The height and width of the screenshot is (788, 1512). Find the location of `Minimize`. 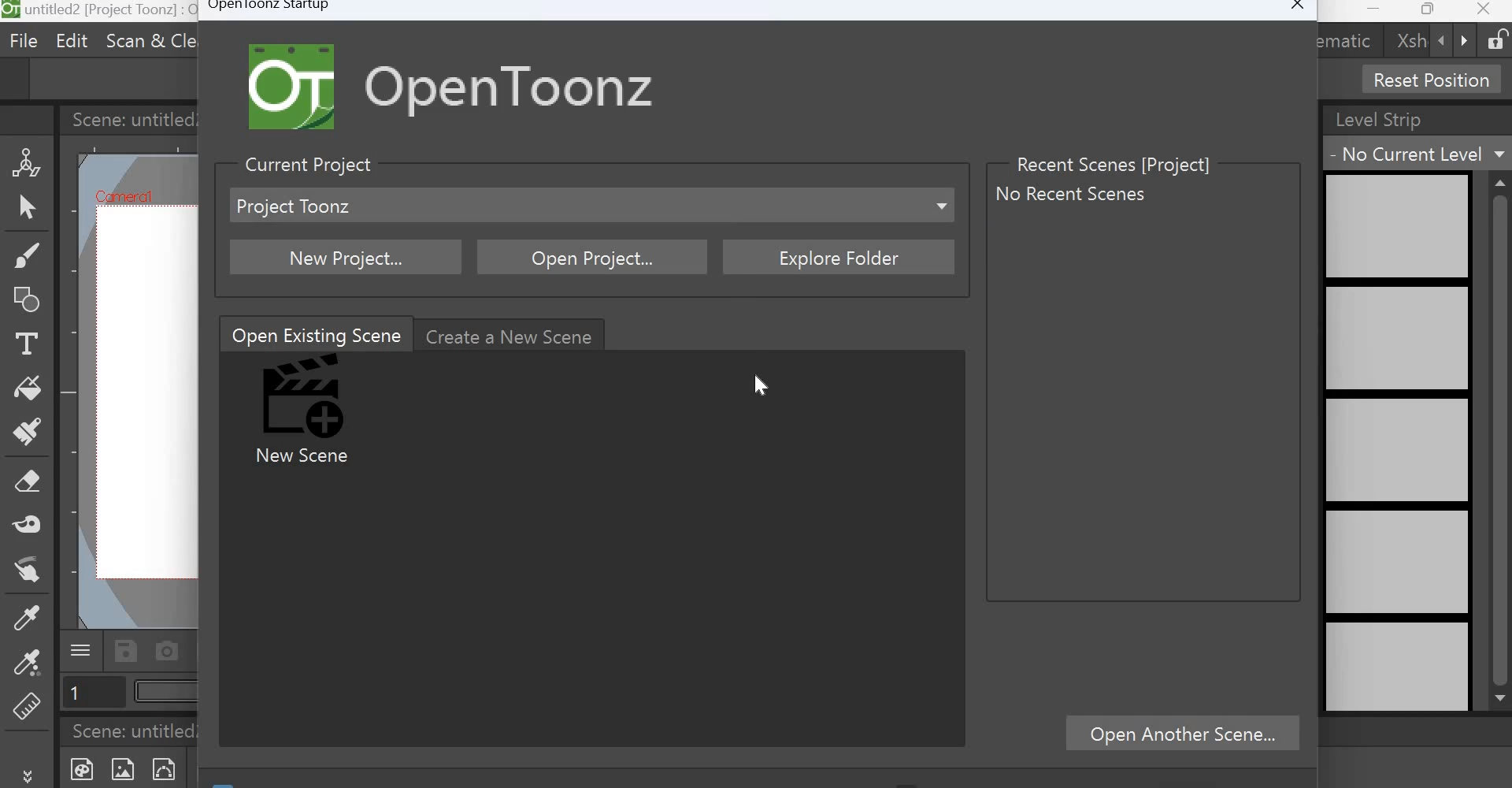

Minimize is located at coordinates (1375, 11).